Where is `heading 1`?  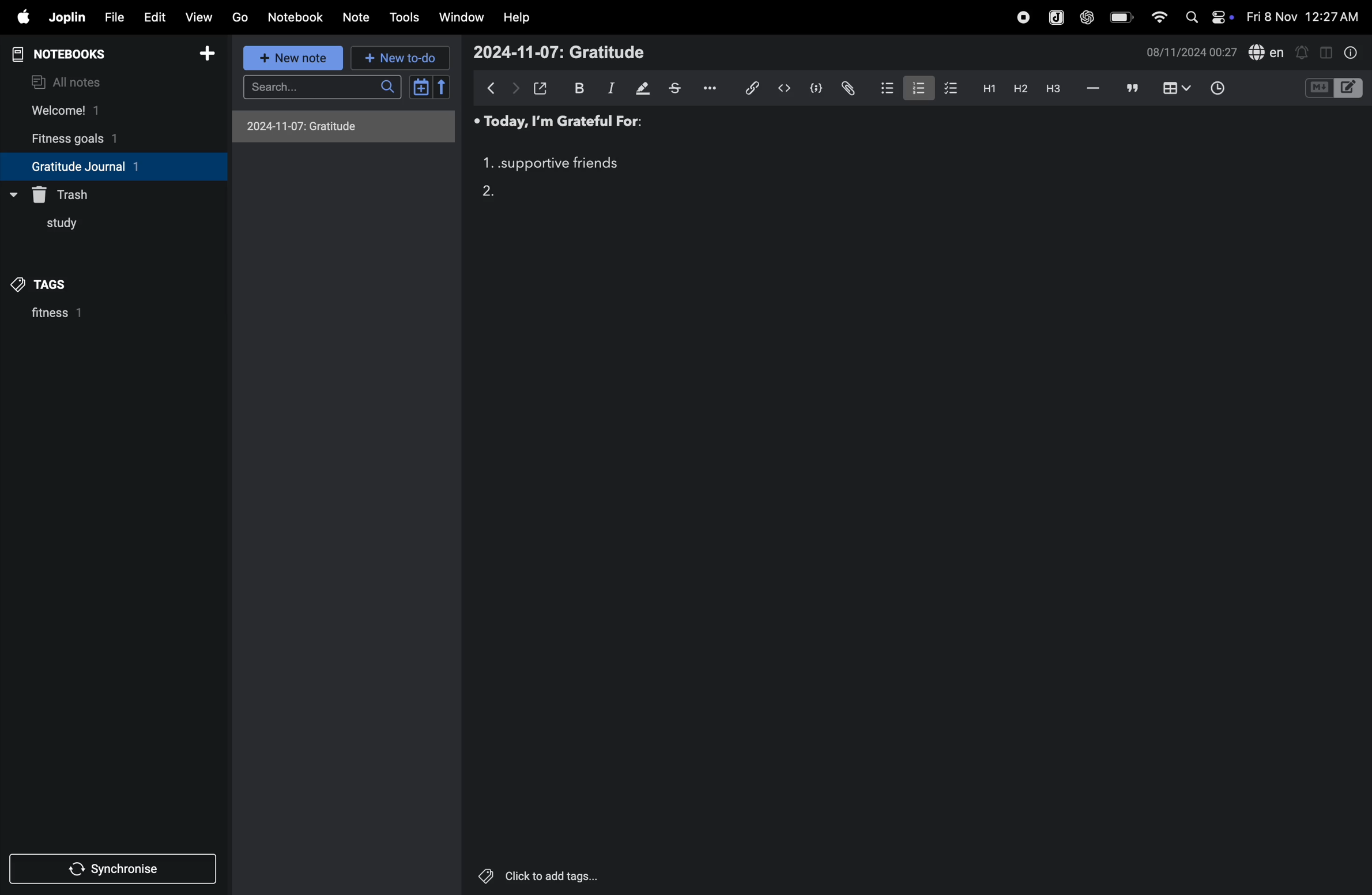 heading 1 is located at coordinates (986, 90).